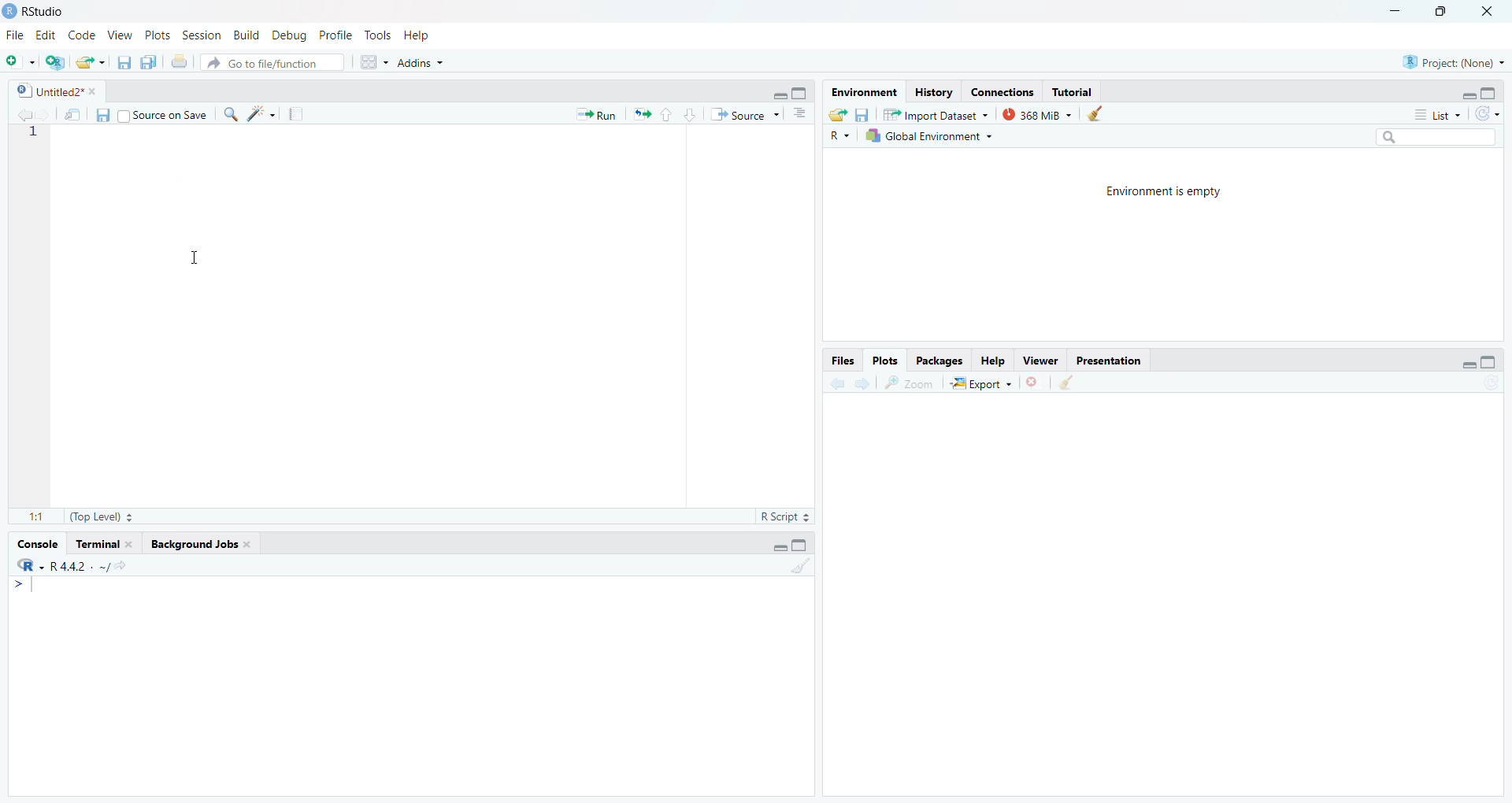 This screenshot has height=803, width=1512. Describe the element at coordinates (248, 35) in the screenshot. I see `Build` at that location.